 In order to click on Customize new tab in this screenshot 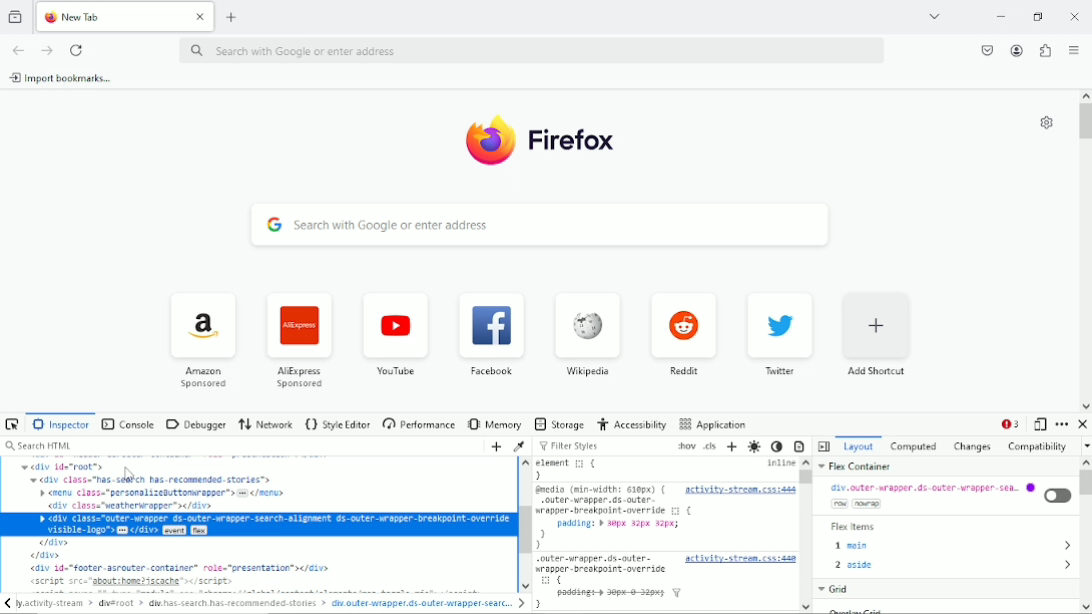, I will do `click(1044, 123)`.